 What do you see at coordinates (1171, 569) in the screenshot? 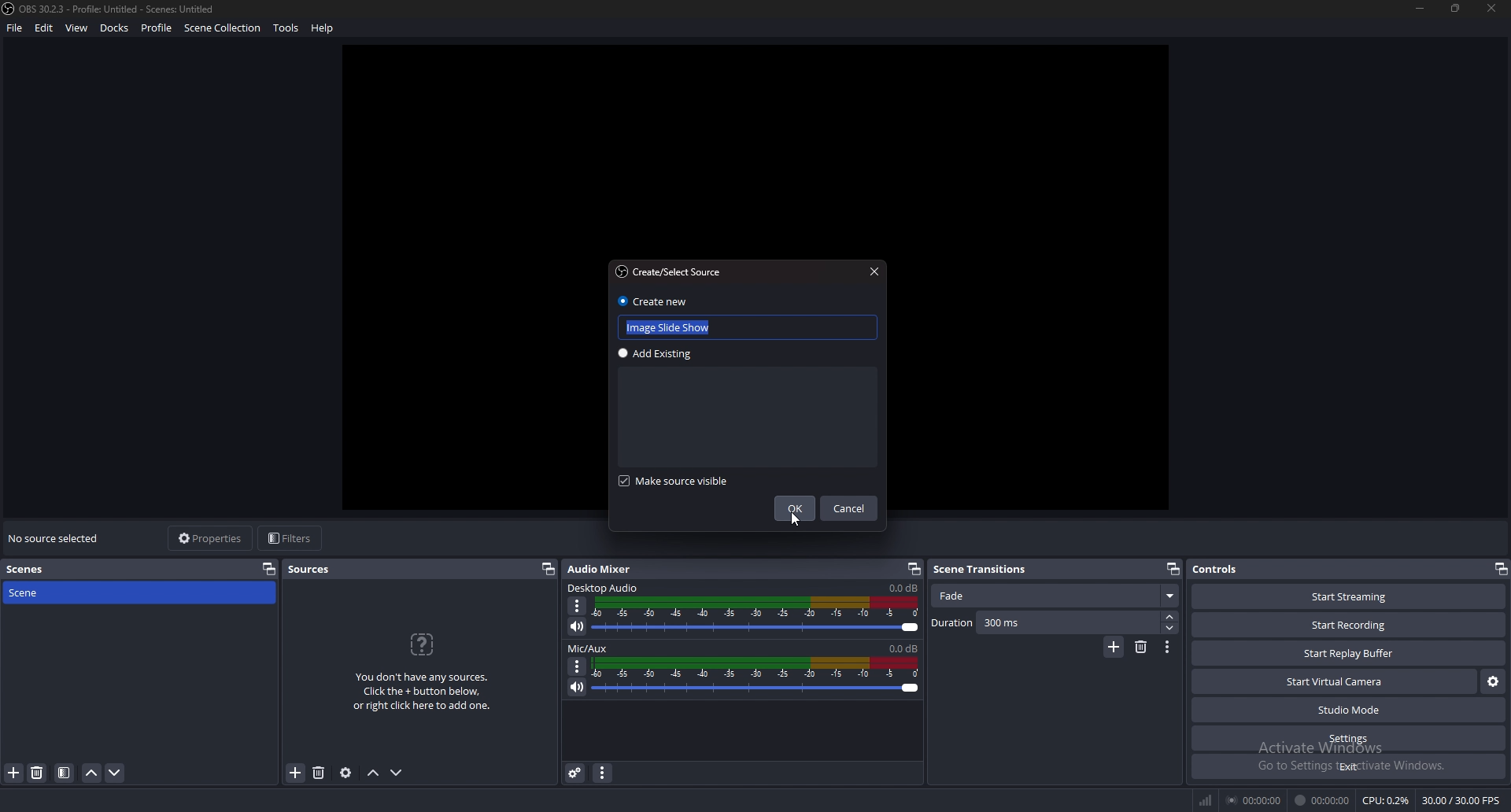
I see `popout` at bounding box center [1171, 569].